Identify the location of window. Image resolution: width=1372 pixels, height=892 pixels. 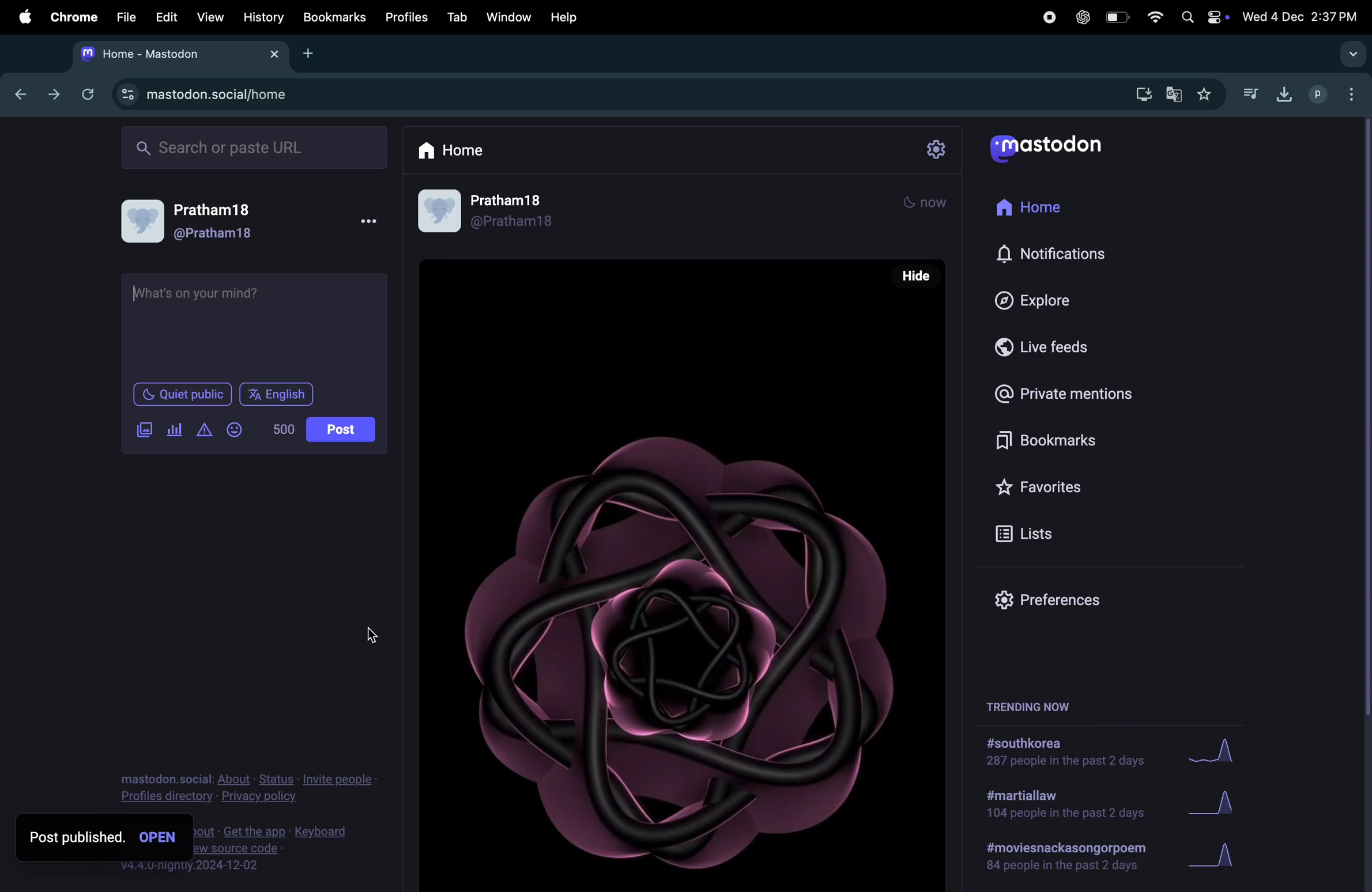
(510, 16).